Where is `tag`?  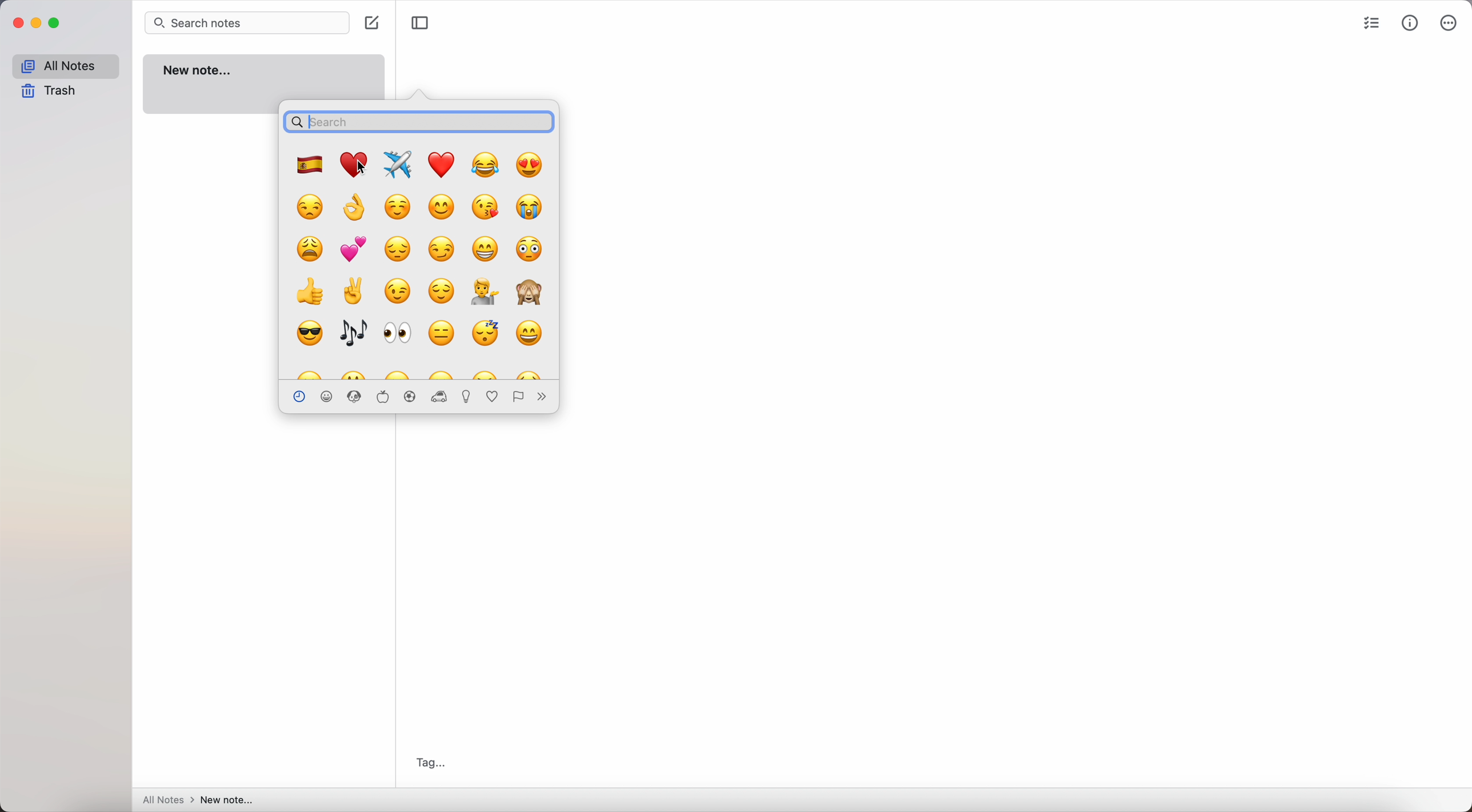 tag is located at coordinates (428, 761).